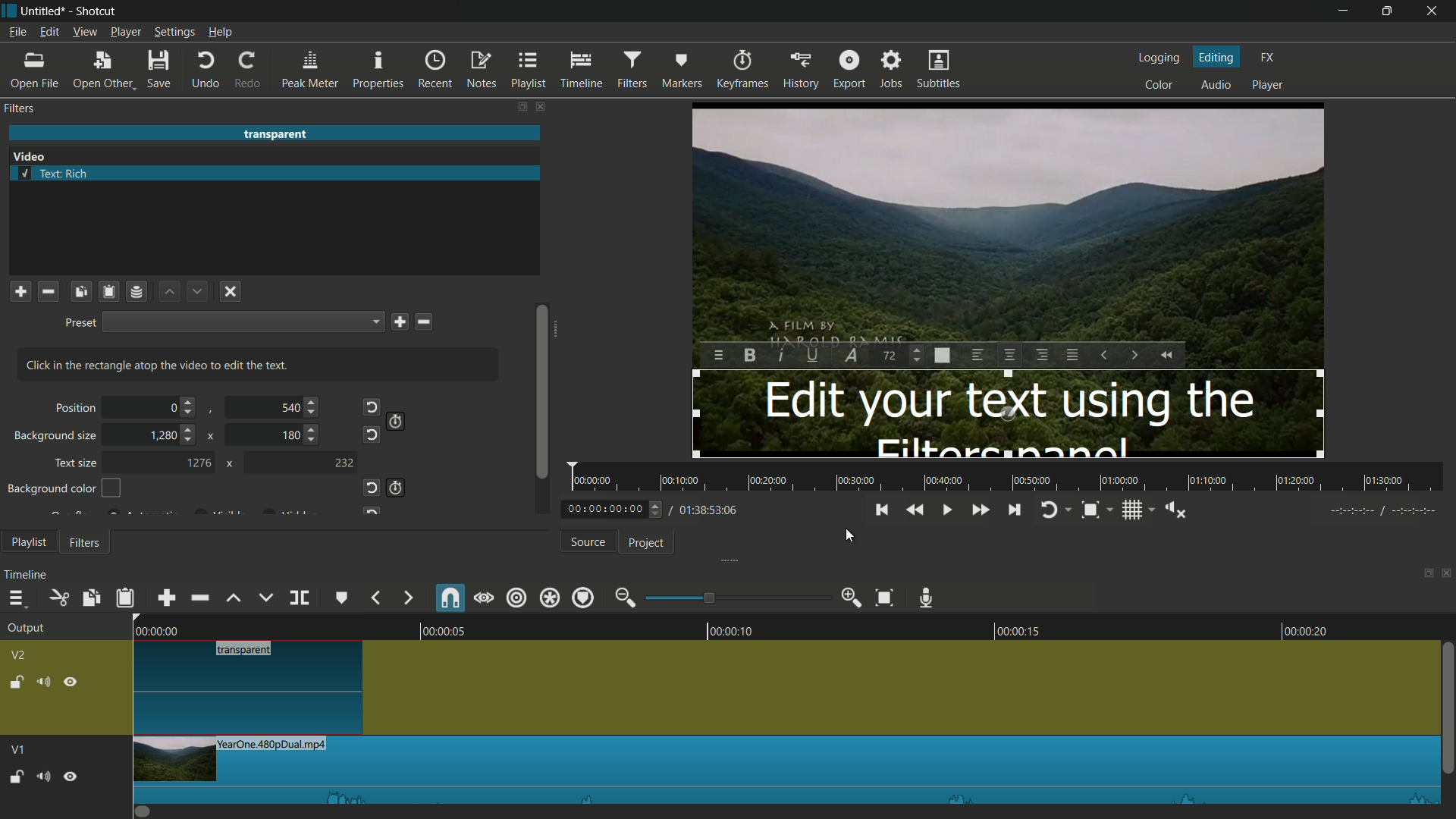 The height and width of the screenshot is (819, 1456). What do you see at coordinates (399, 323) in the screenshot?
I see `save` at bounding box center [399, 323].